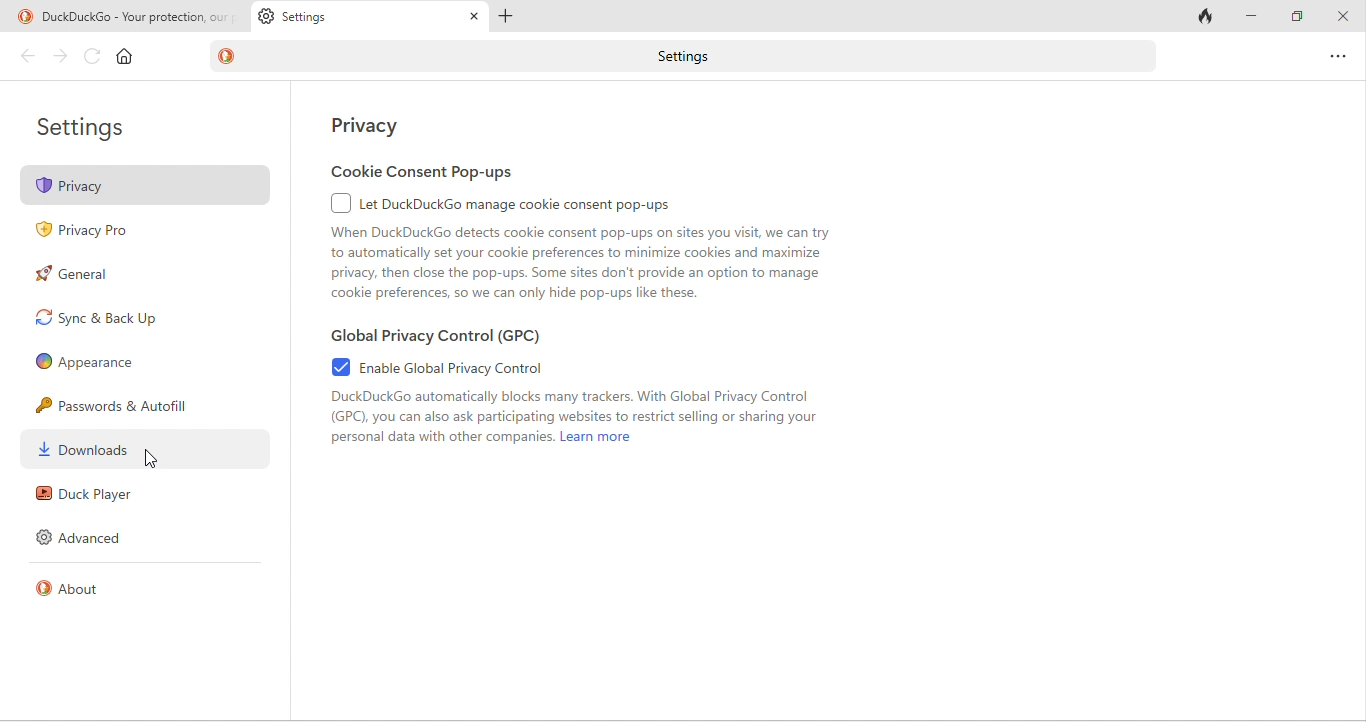 The width and height of the screenshot is (1366, 722). I want to click on DuckDuckGo automatically blocks many trackers. With Global Privacy Control(GPC), you can also ask participating websites to restrict selling or sharing your personal data with other companies. Learn more, so click(635, 419).